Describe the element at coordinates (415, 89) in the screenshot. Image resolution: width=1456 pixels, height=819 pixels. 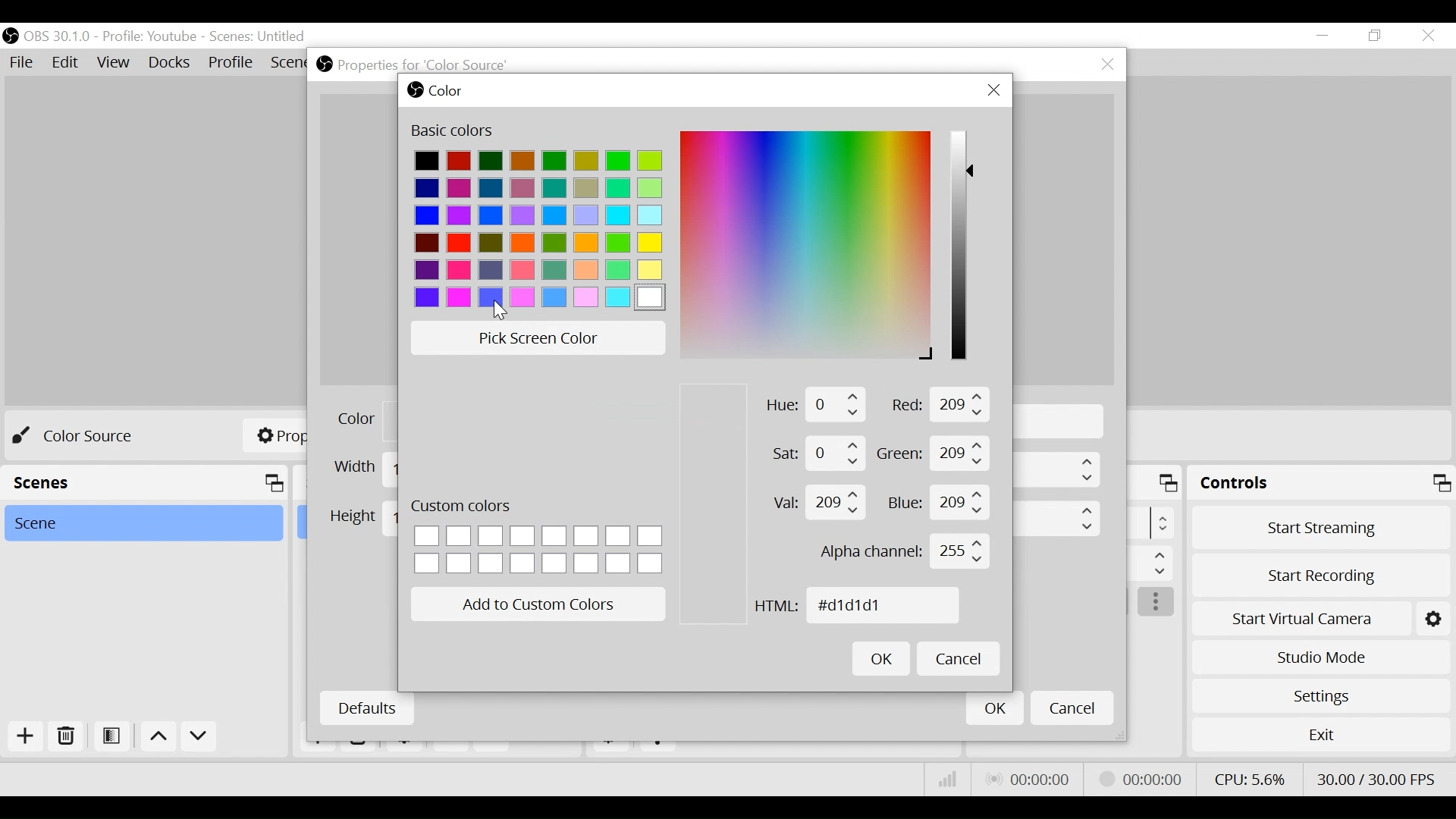
I see `OBS Studio Desktop icon` at that location.